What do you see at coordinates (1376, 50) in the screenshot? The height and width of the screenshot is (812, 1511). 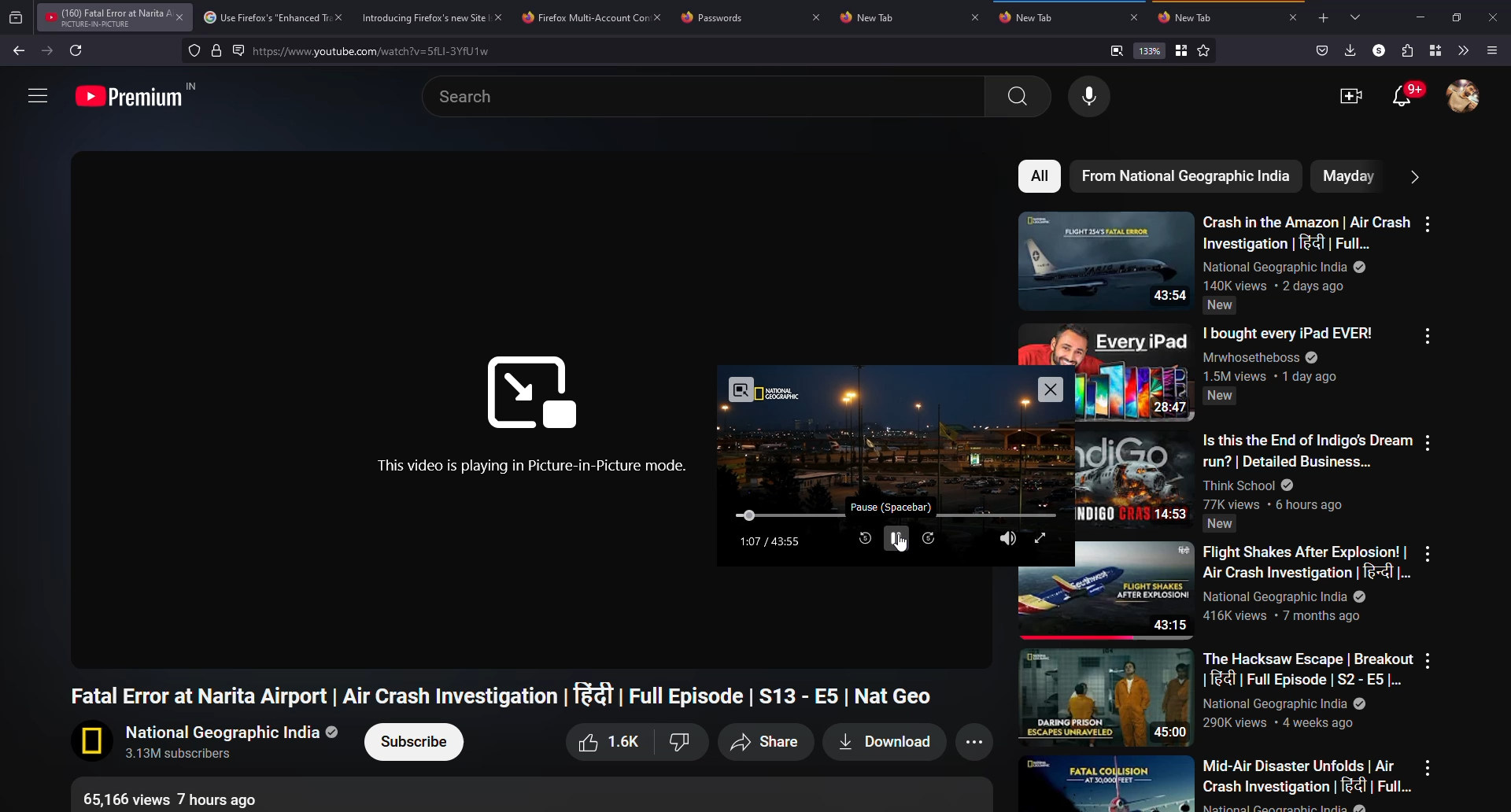 I see `profile` at bounding box center [1376, 50].